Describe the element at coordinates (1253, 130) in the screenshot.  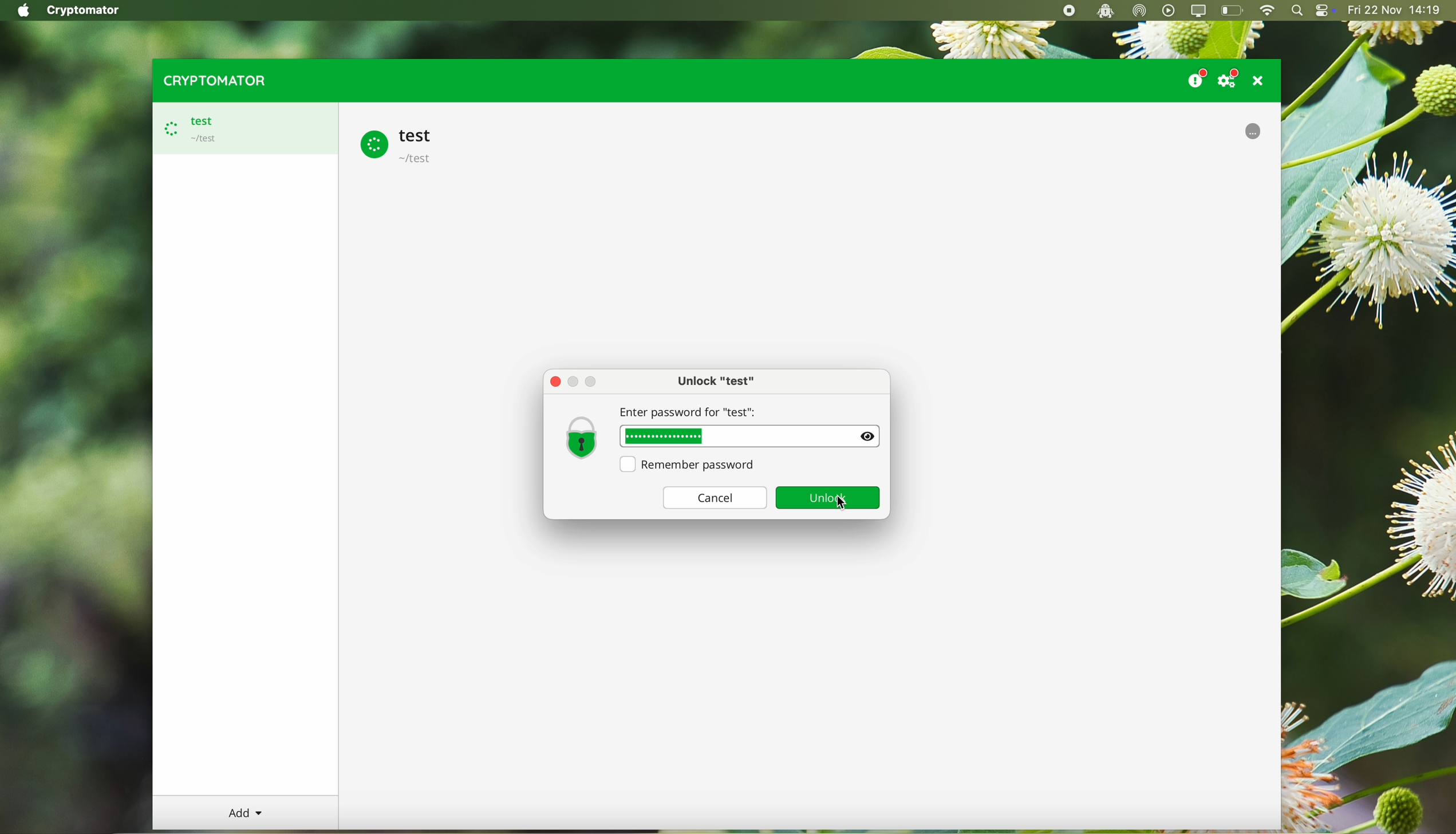
I see `uploading` at that location.